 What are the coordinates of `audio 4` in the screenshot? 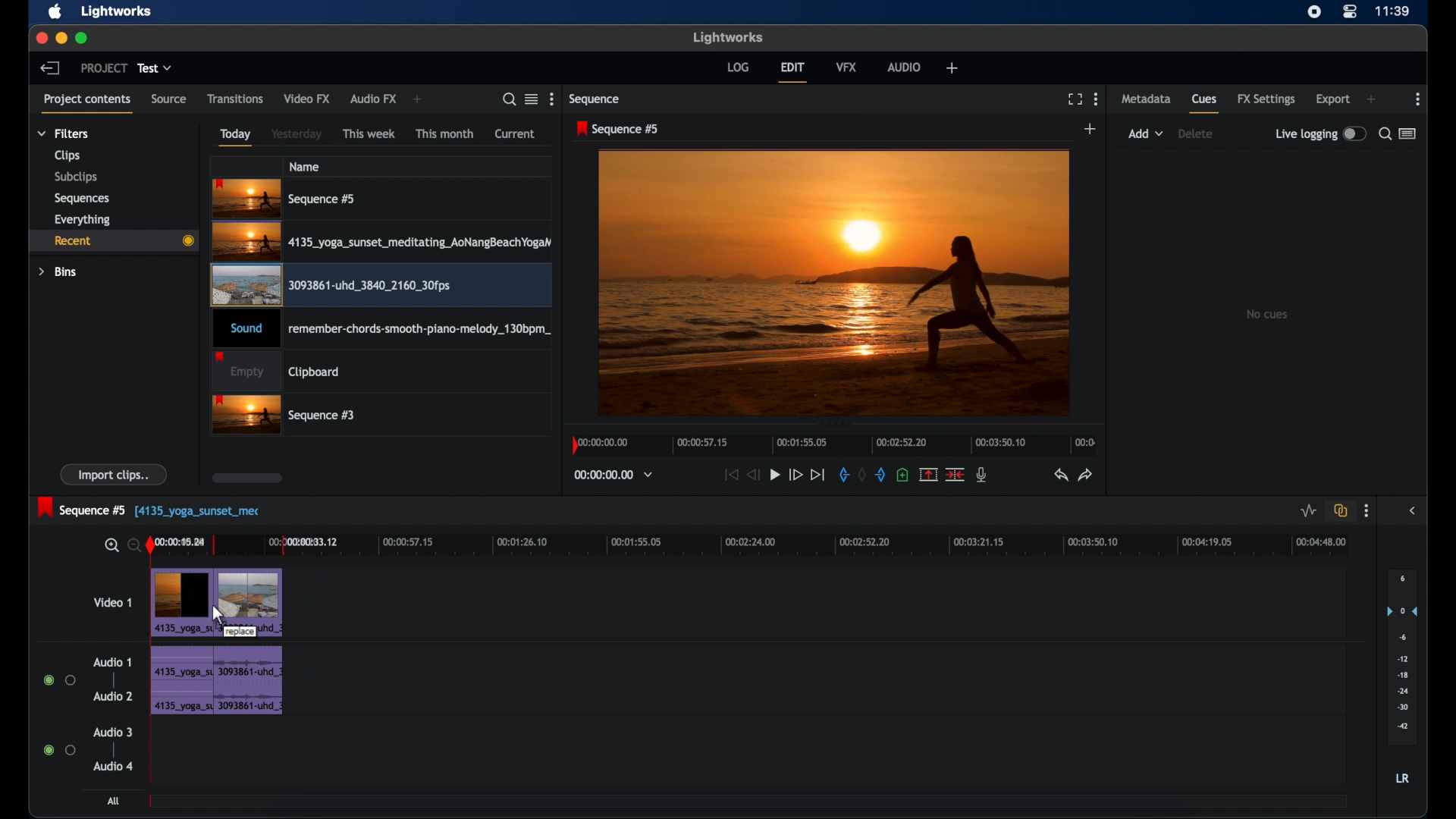 It's located at (111, 767).